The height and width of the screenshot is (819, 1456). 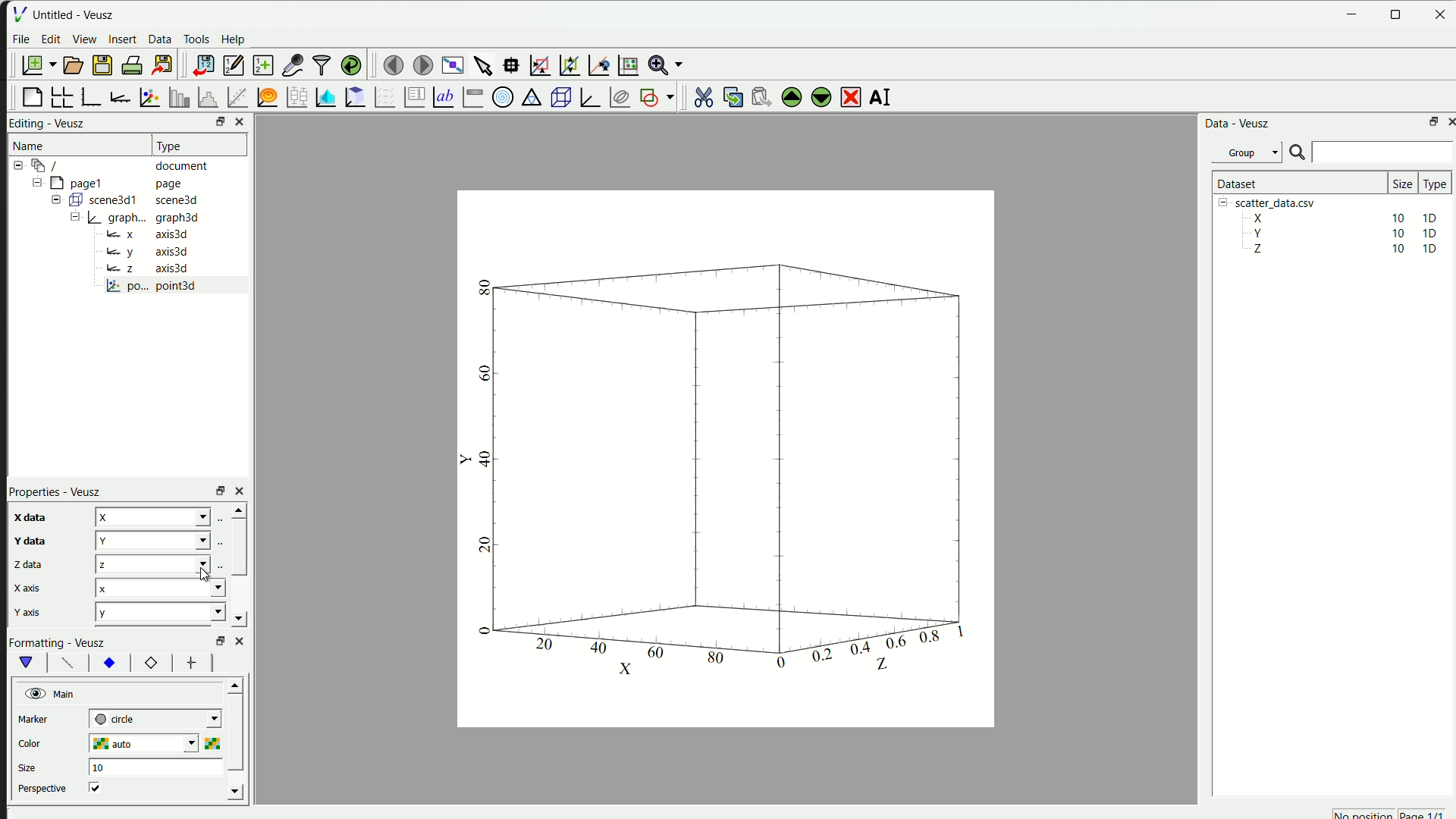 What do you see at coordinates (510, 64) in the screenshot?
I see `read datapoint on graph` at bounding box center [510, 64].